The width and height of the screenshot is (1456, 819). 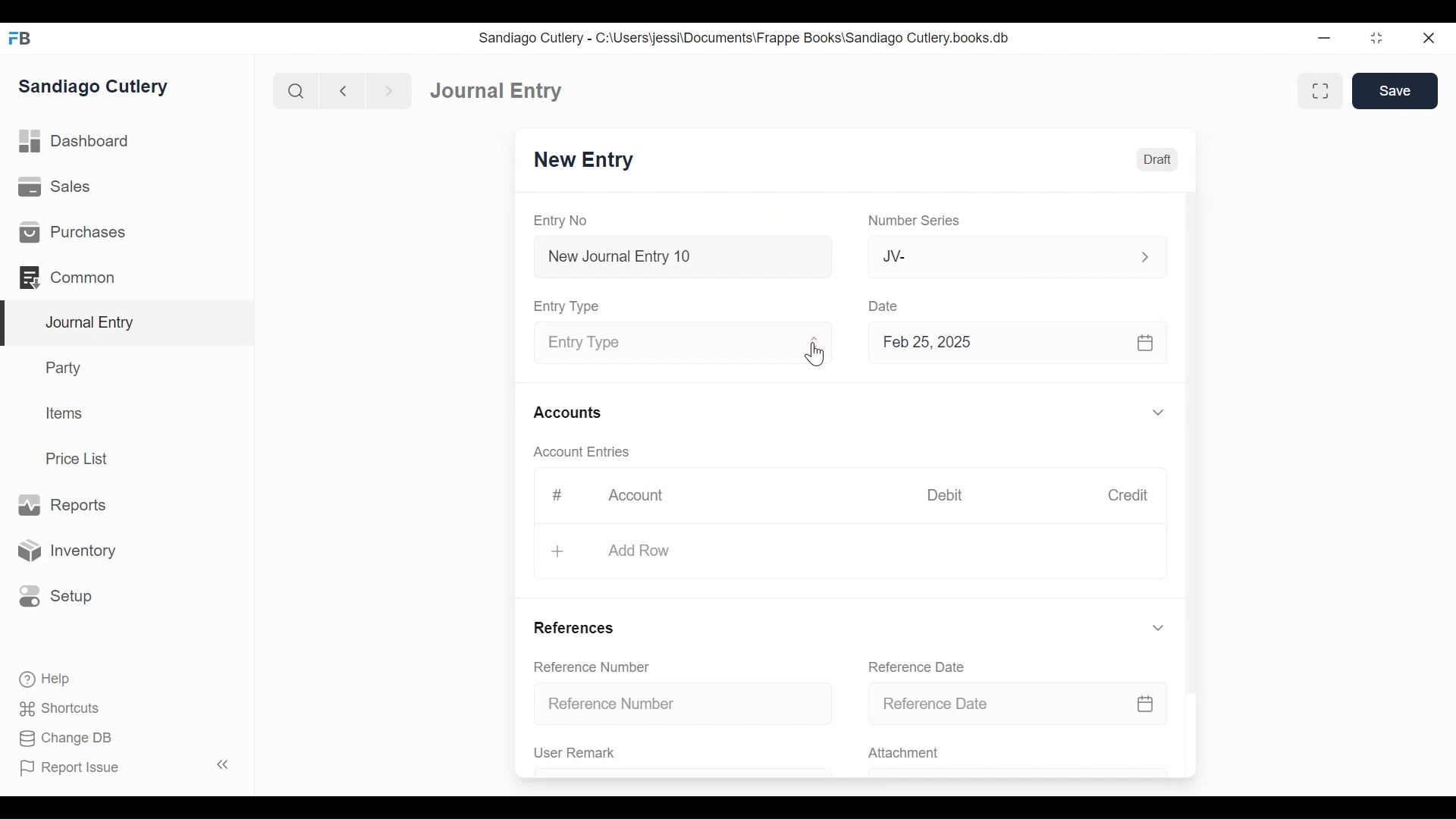 I want to click on References, so click(x=576, y=626).